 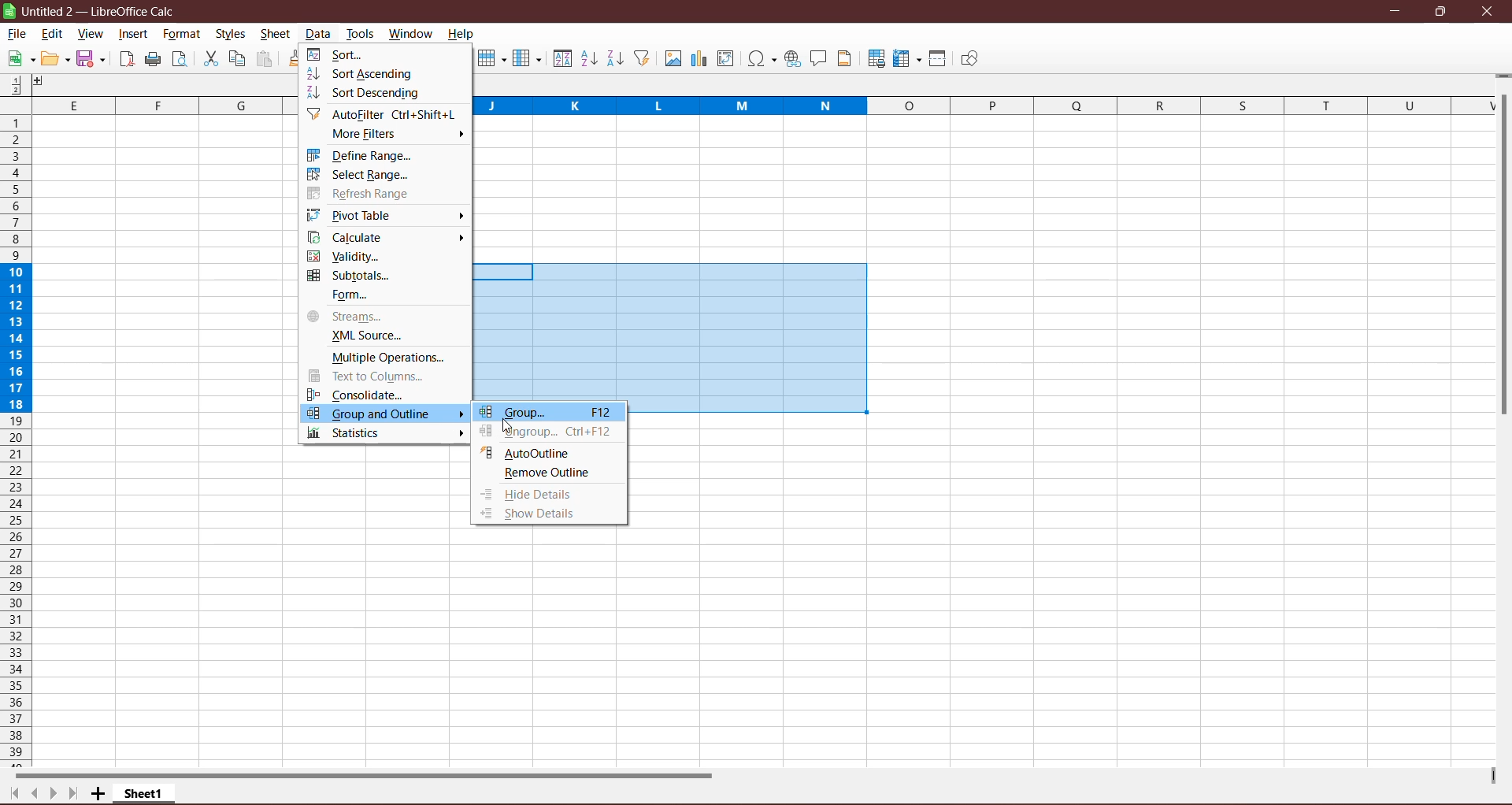 I want to click on Columns, so click(x=527, y=58).